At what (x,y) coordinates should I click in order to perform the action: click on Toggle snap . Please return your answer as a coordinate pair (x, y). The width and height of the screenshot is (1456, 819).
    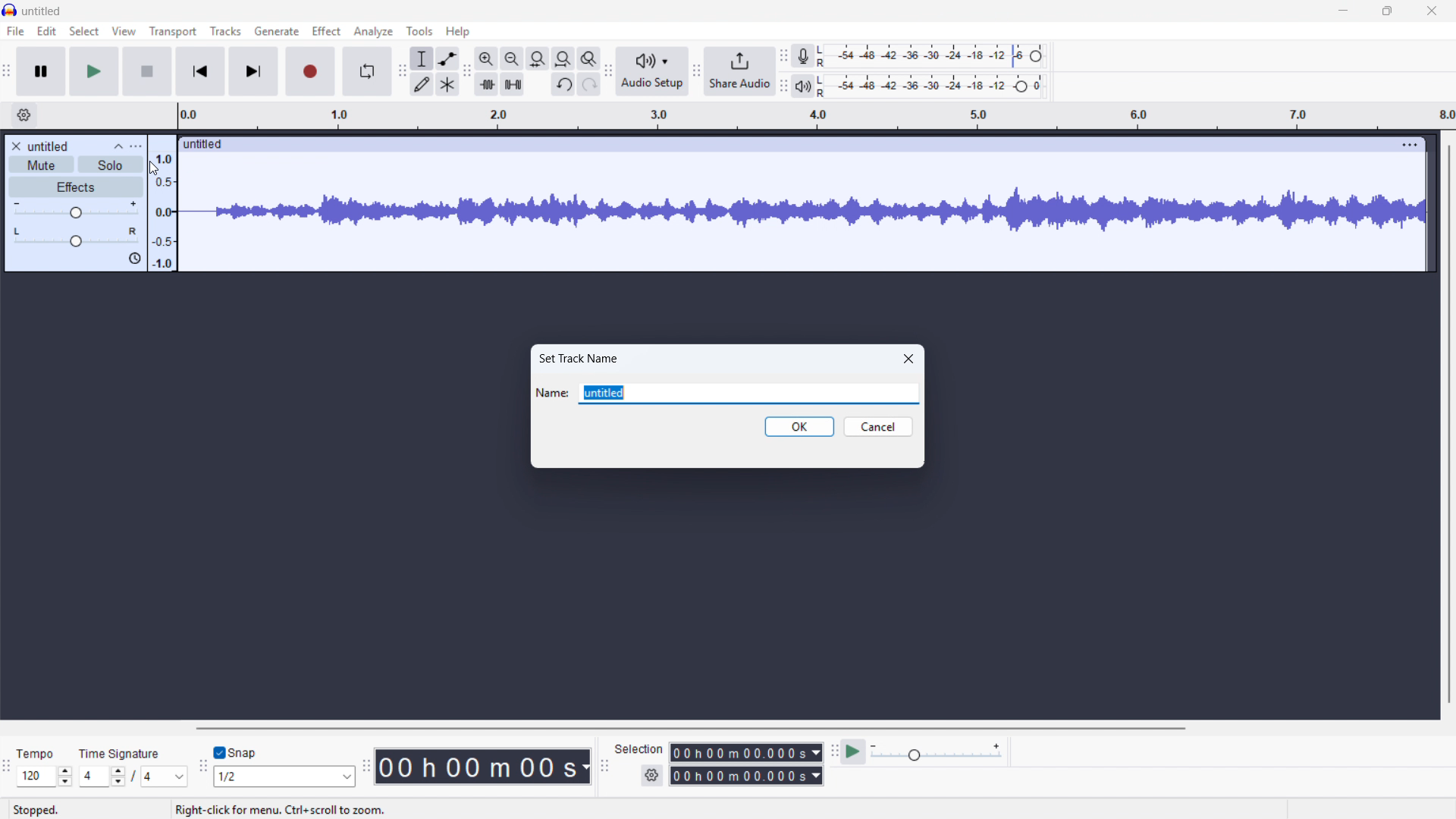
    Looking at the image, I should click on (236, 752).